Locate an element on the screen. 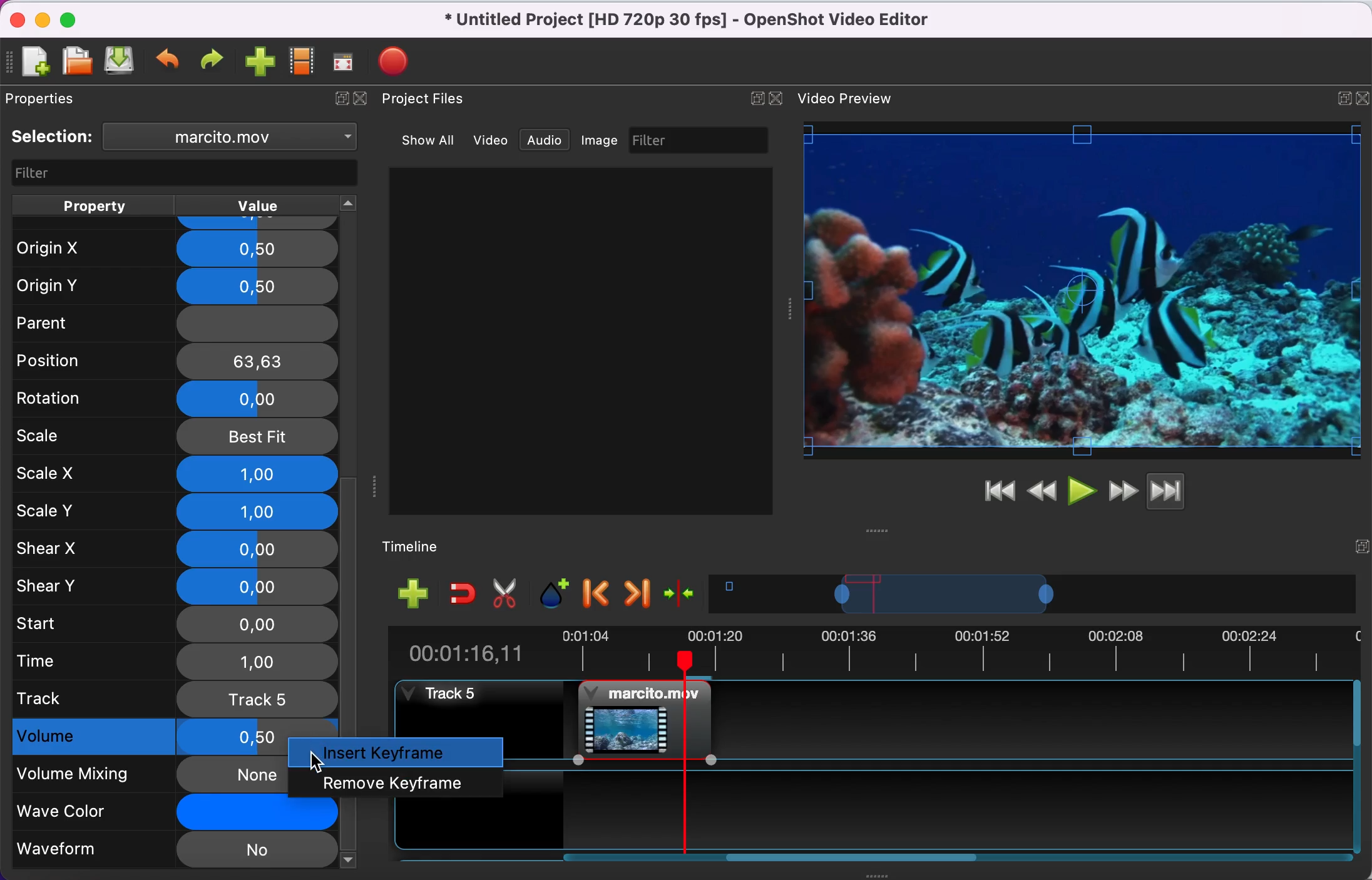 The height and width of the screenshot is (880, 1372). image is located at coordinates (603, 141).